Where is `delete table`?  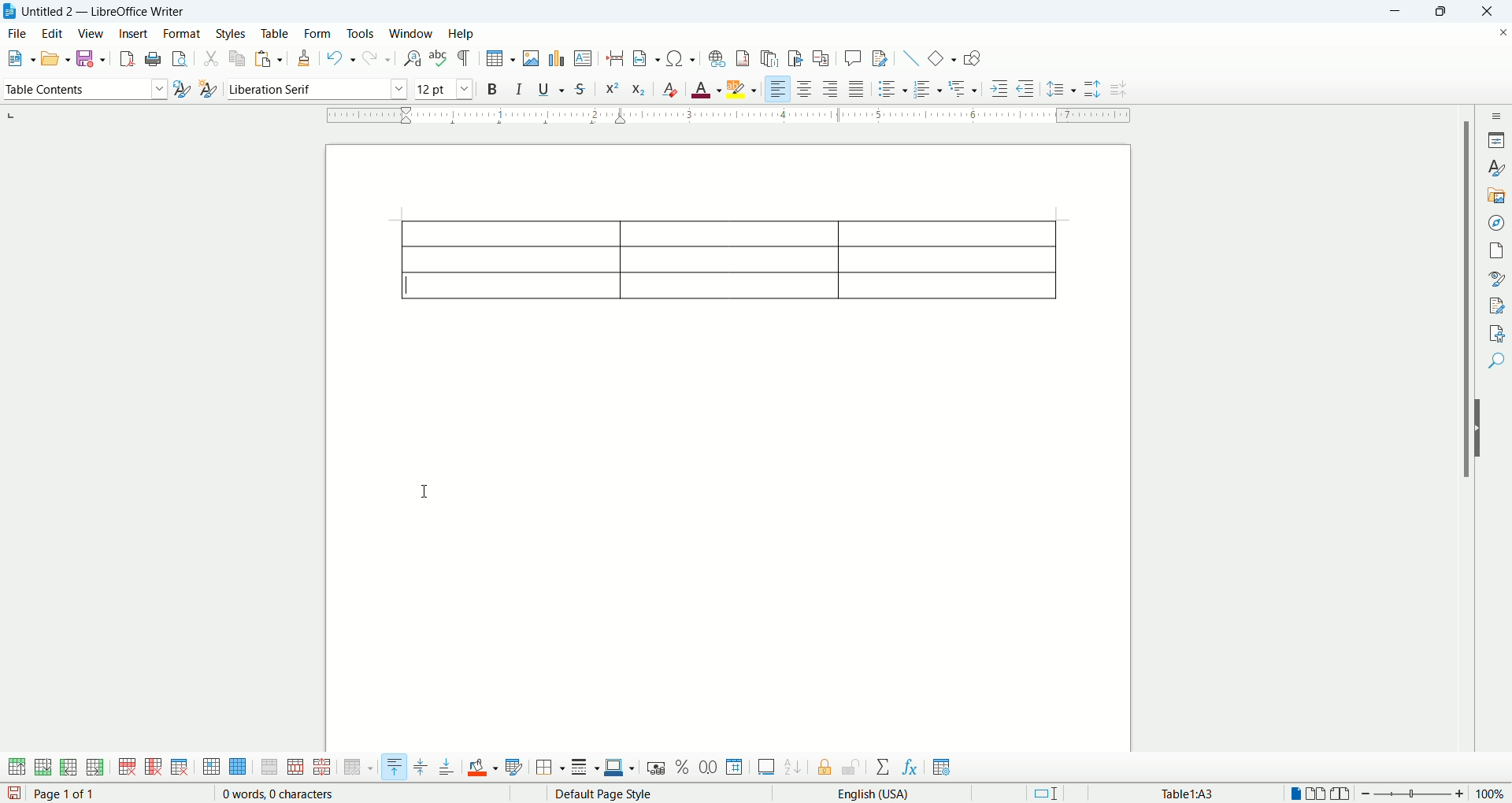 delete table is located at coordinates (181, 768).